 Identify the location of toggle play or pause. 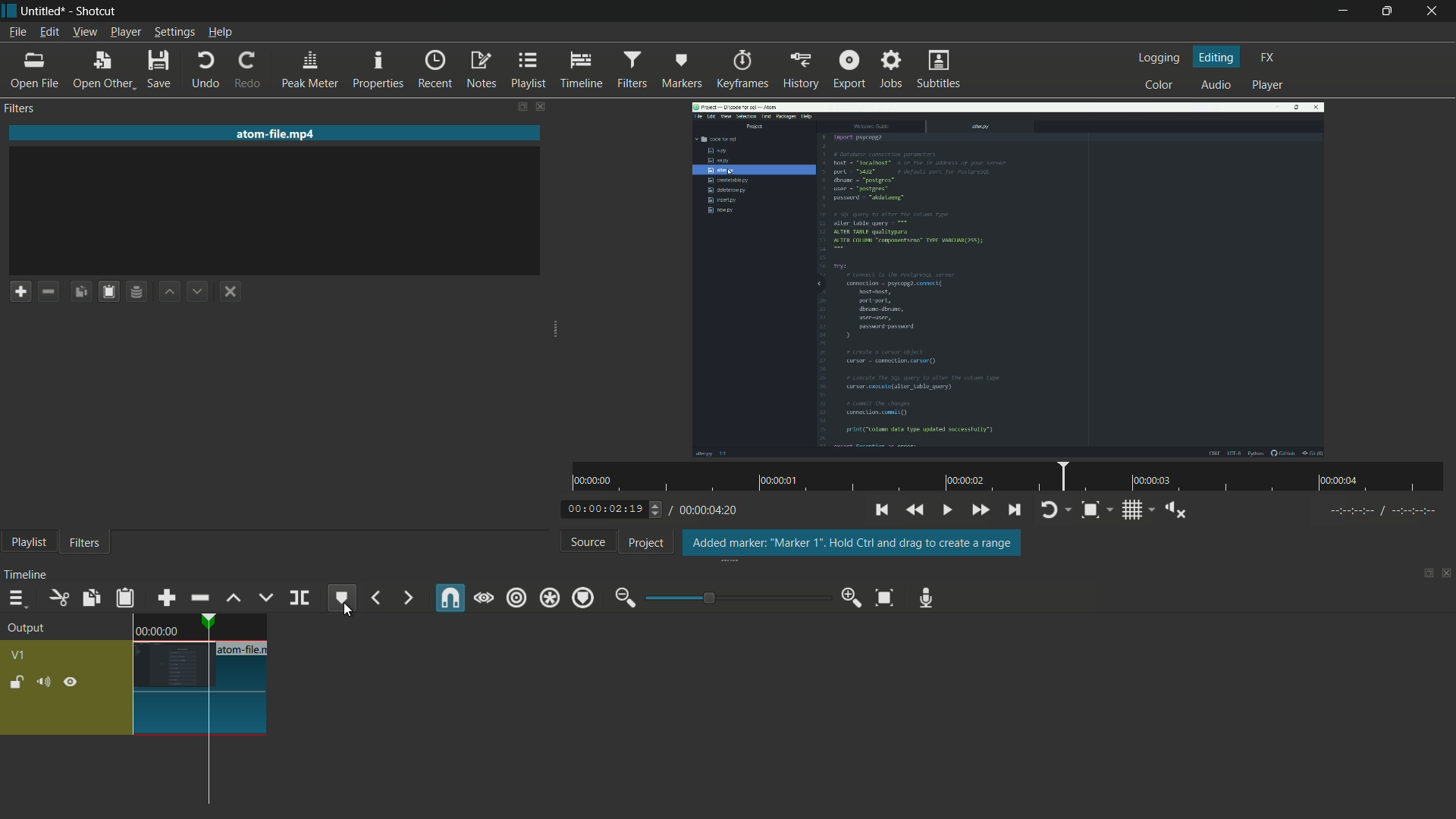
(945, 510).